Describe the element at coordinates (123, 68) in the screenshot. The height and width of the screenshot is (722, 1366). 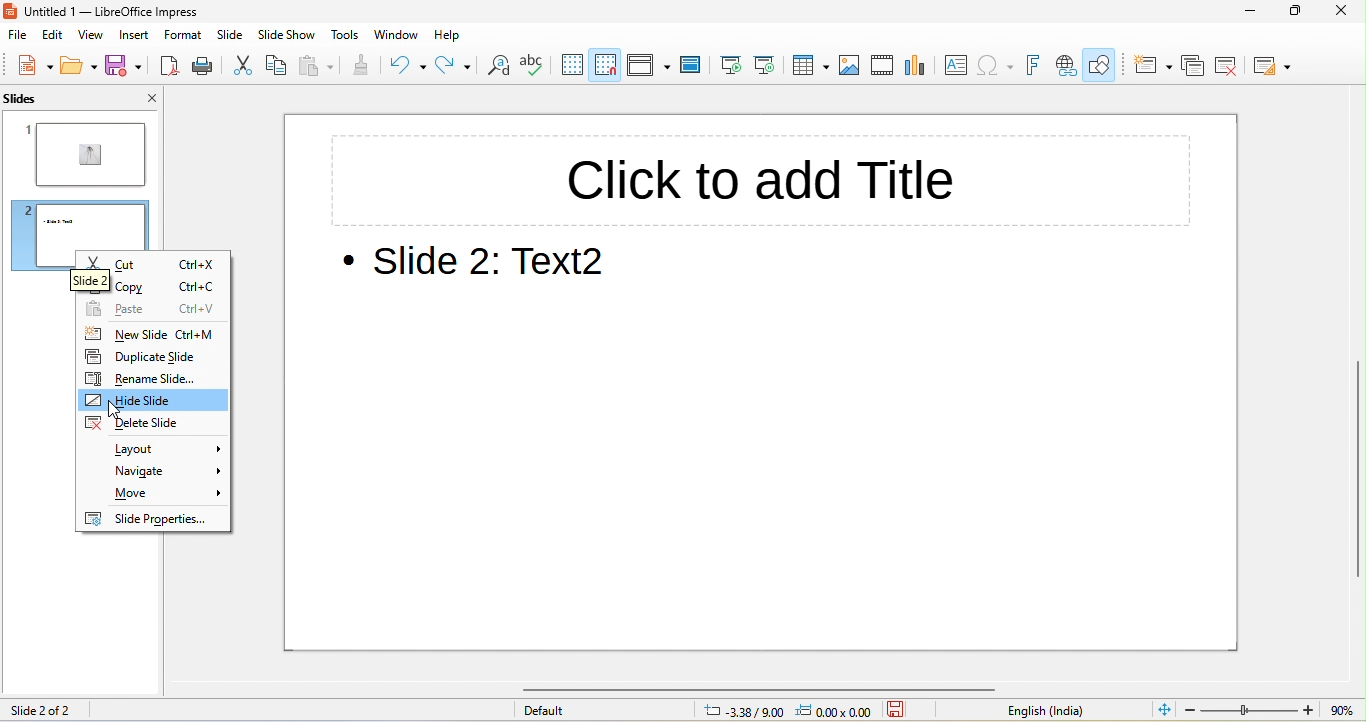
I see `save` at that location.